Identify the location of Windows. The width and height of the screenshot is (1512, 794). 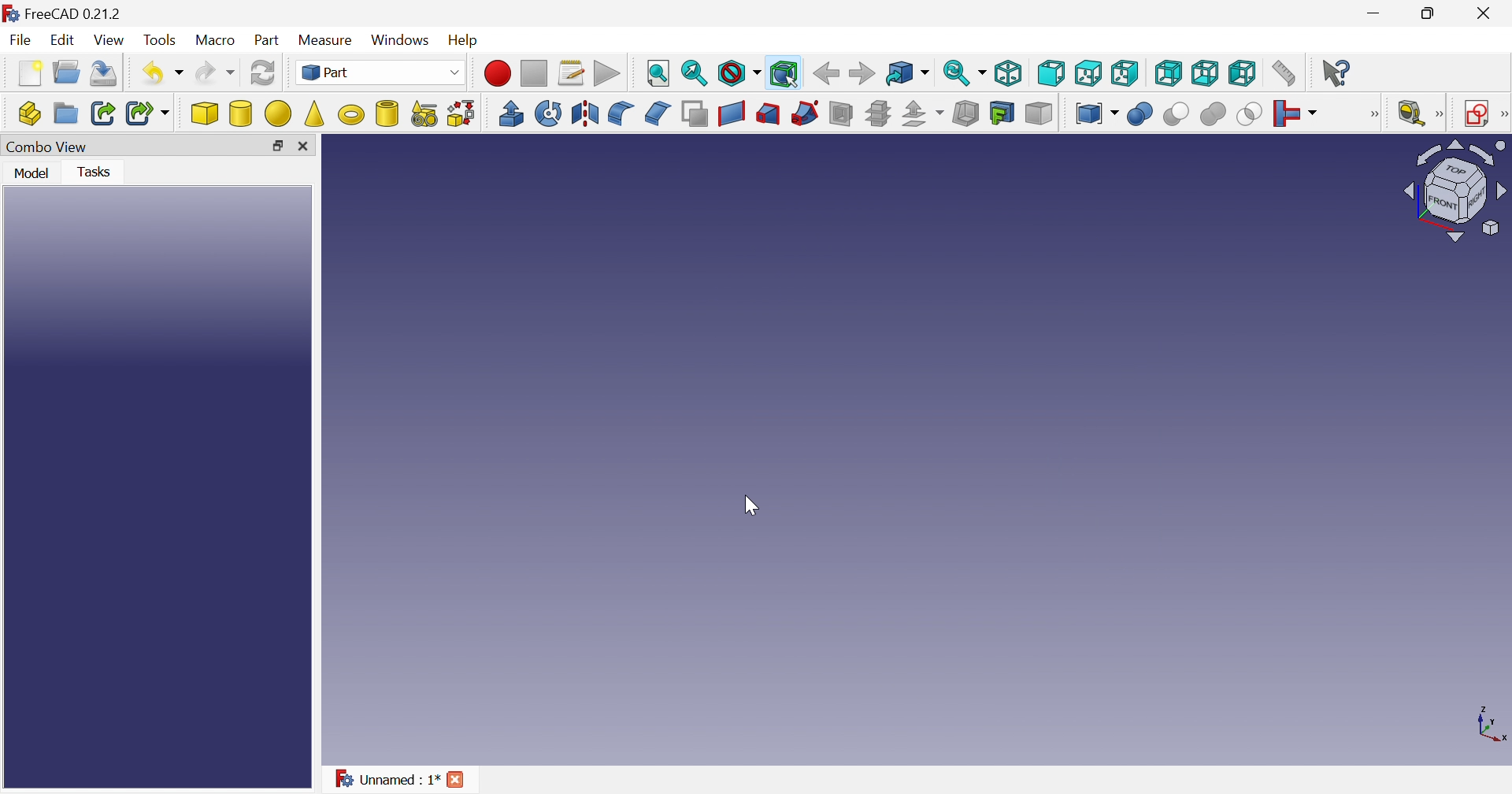
(402, 42).